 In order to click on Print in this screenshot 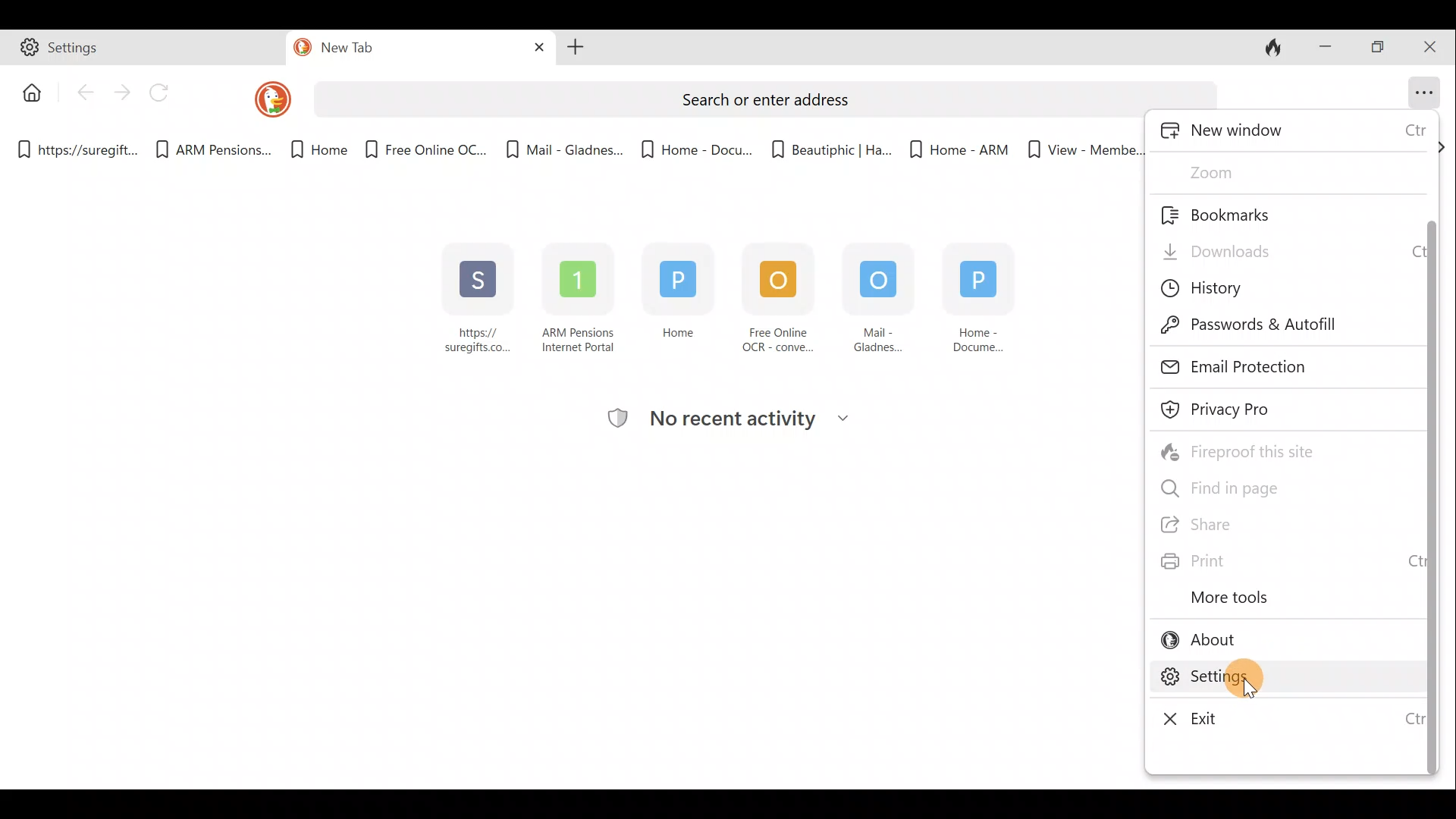, I will do `click(1220, 560)`.